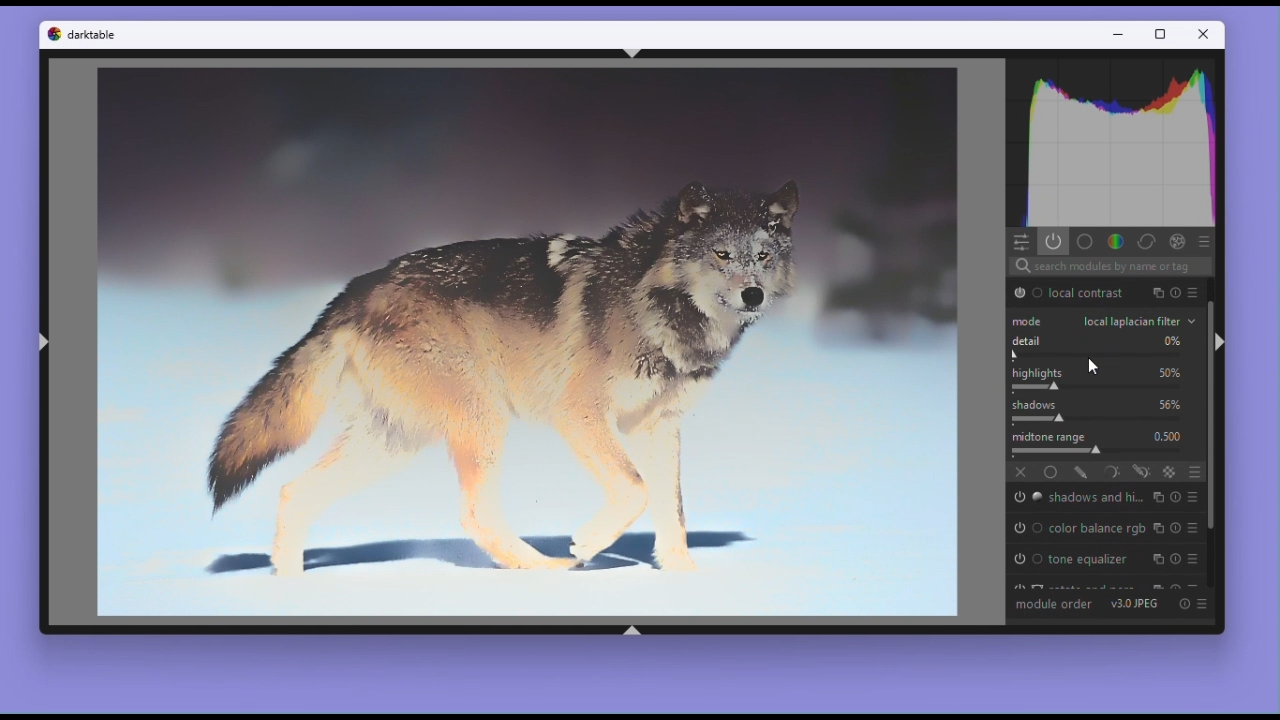 This screenshot has width=1280, height=720. I want to click on presets, so click(1196, 557).